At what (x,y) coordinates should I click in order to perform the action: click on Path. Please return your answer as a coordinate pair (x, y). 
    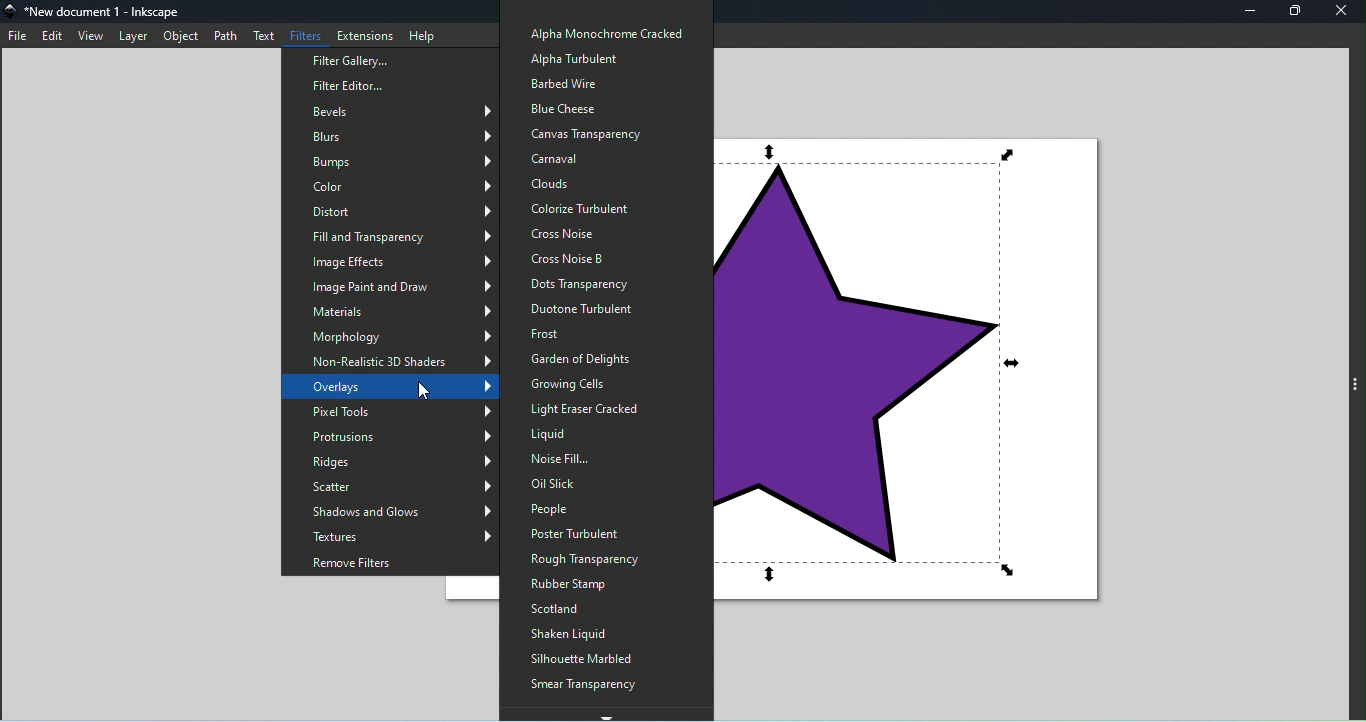
    Looking at the image, I should click on (224, 36).